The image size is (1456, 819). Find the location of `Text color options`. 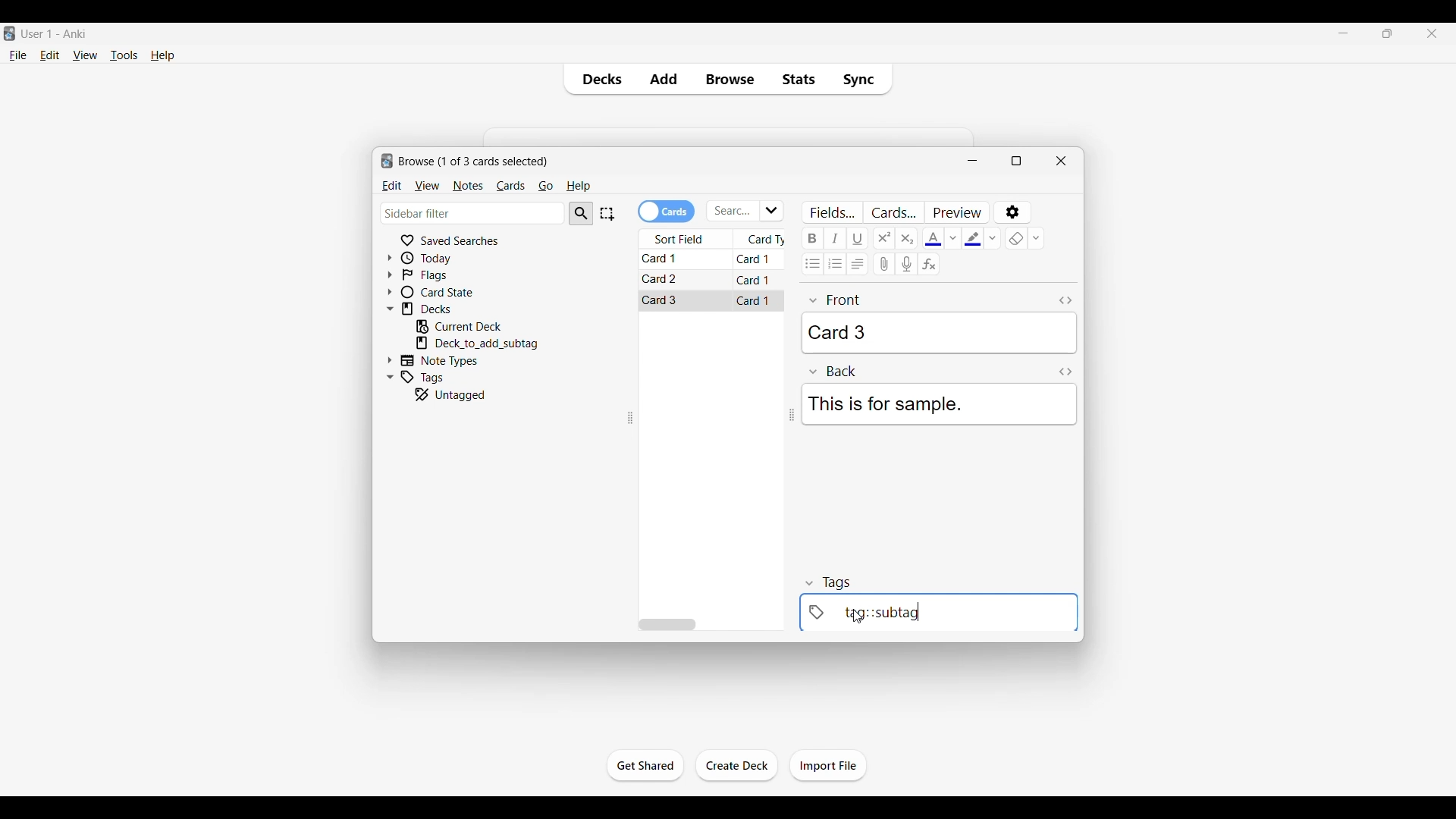

Text color options is located at coordinates (952, 238).